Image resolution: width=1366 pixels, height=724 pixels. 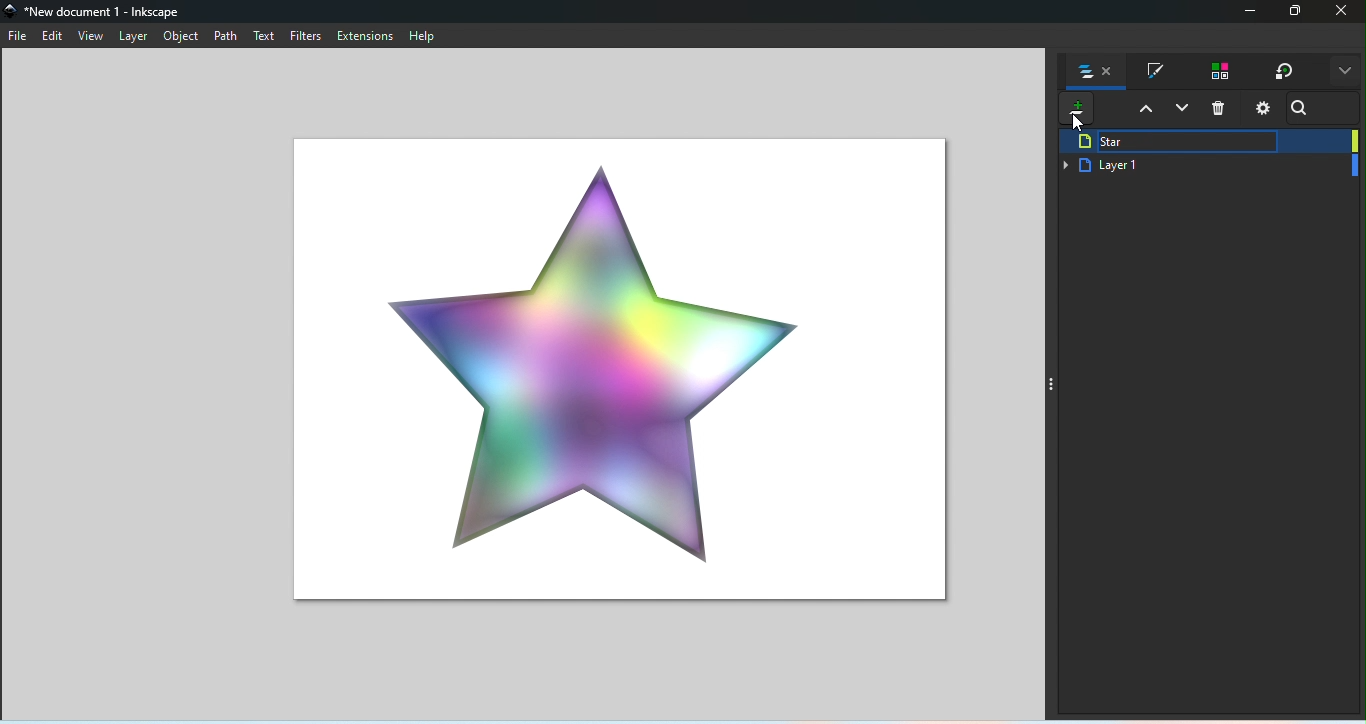 What do you see at coordinates (1209, 166) in the screenshot?
I see `Layer 1` at bounding box center [1209, 166].